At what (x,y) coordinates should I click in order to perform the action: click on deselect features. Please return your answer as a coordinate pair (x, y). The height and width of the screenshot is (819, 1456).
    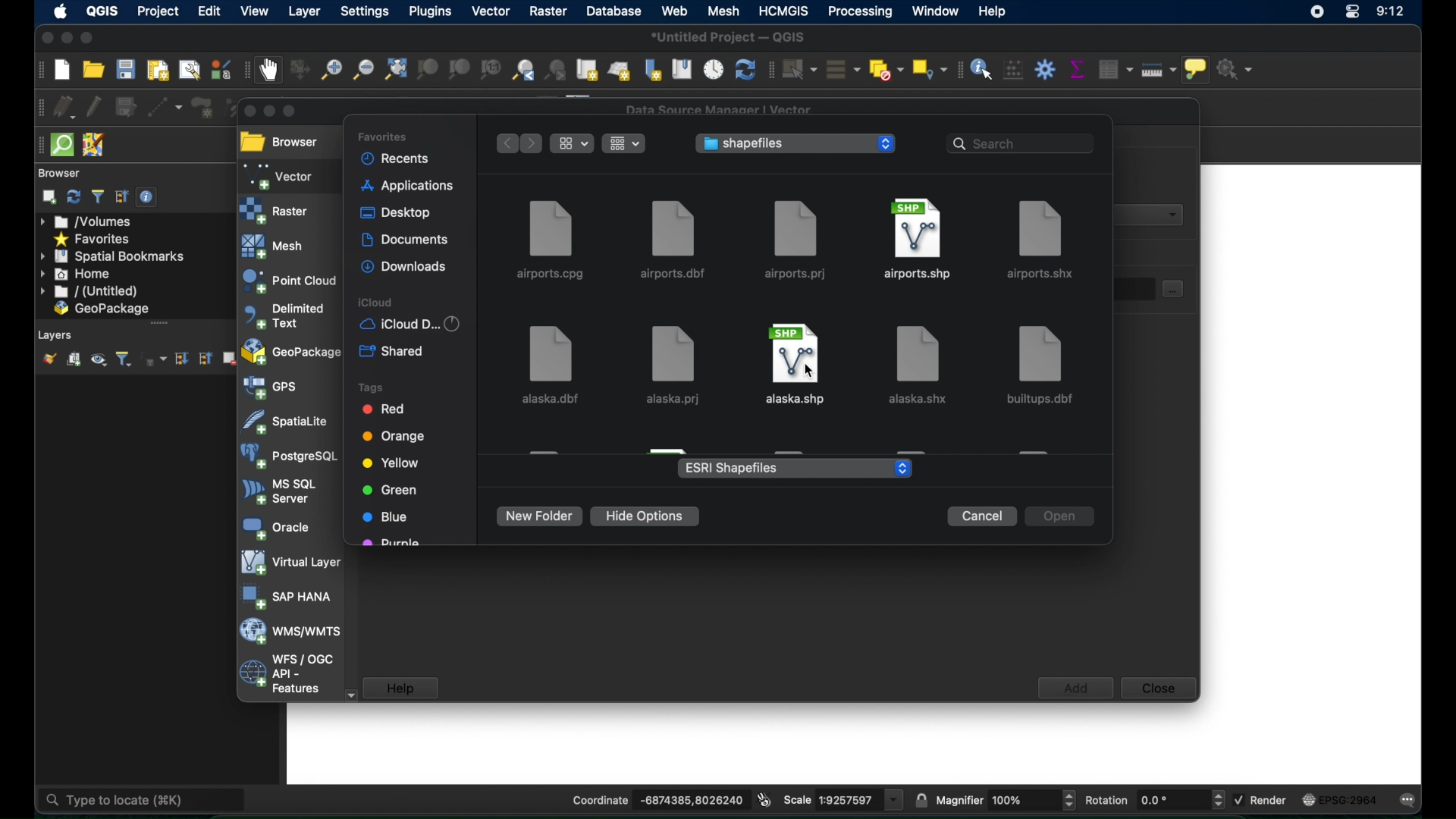
    Looking at the image, I should click on (886, 67).